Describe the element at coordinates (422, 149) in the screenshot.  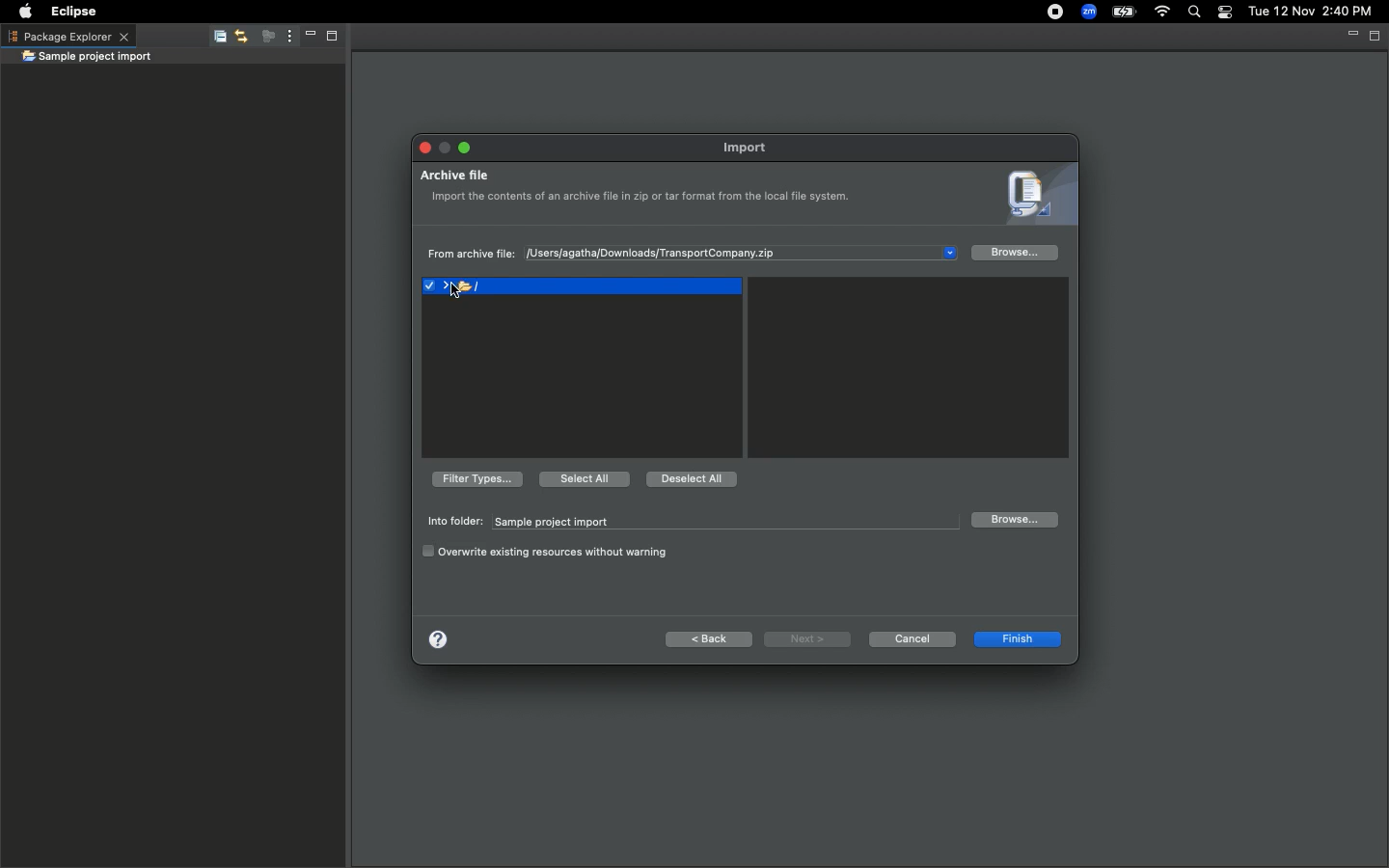
I see `close` at that location.